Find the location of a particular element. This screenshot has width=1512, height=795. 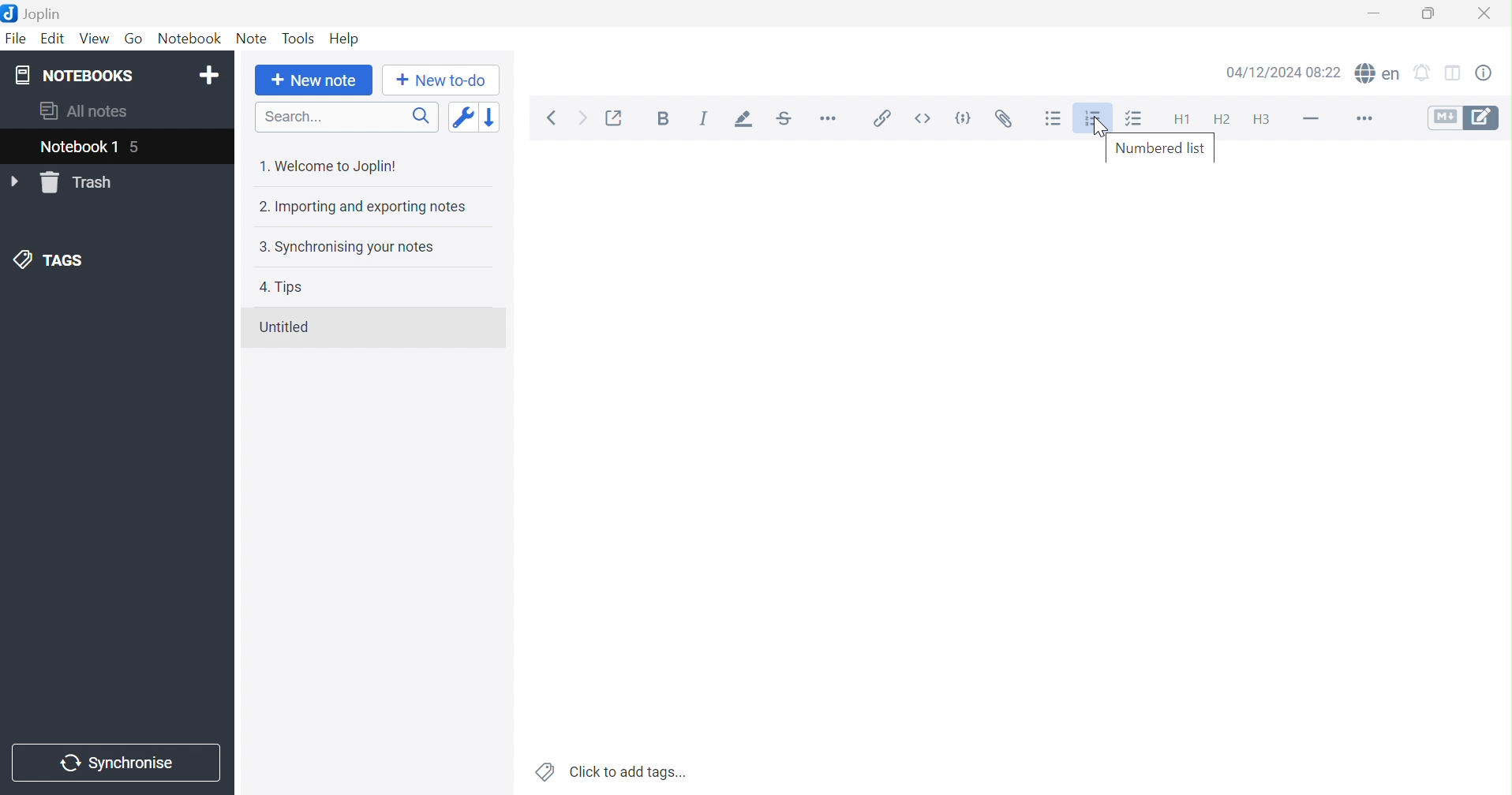

Strikethrough is located at coordinates (788, 120).